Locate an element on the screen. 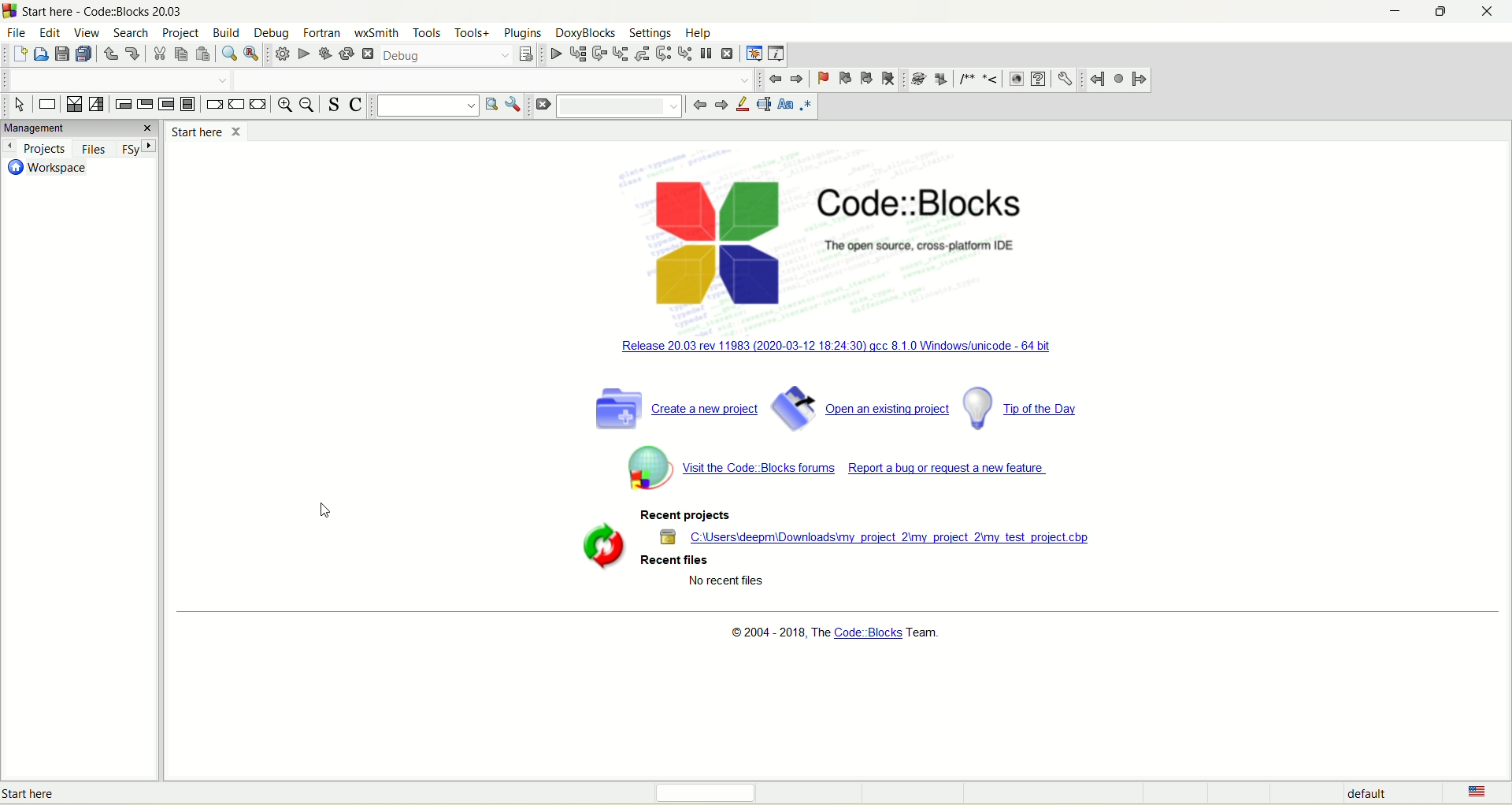  selection is located at coordinates (98, 105).